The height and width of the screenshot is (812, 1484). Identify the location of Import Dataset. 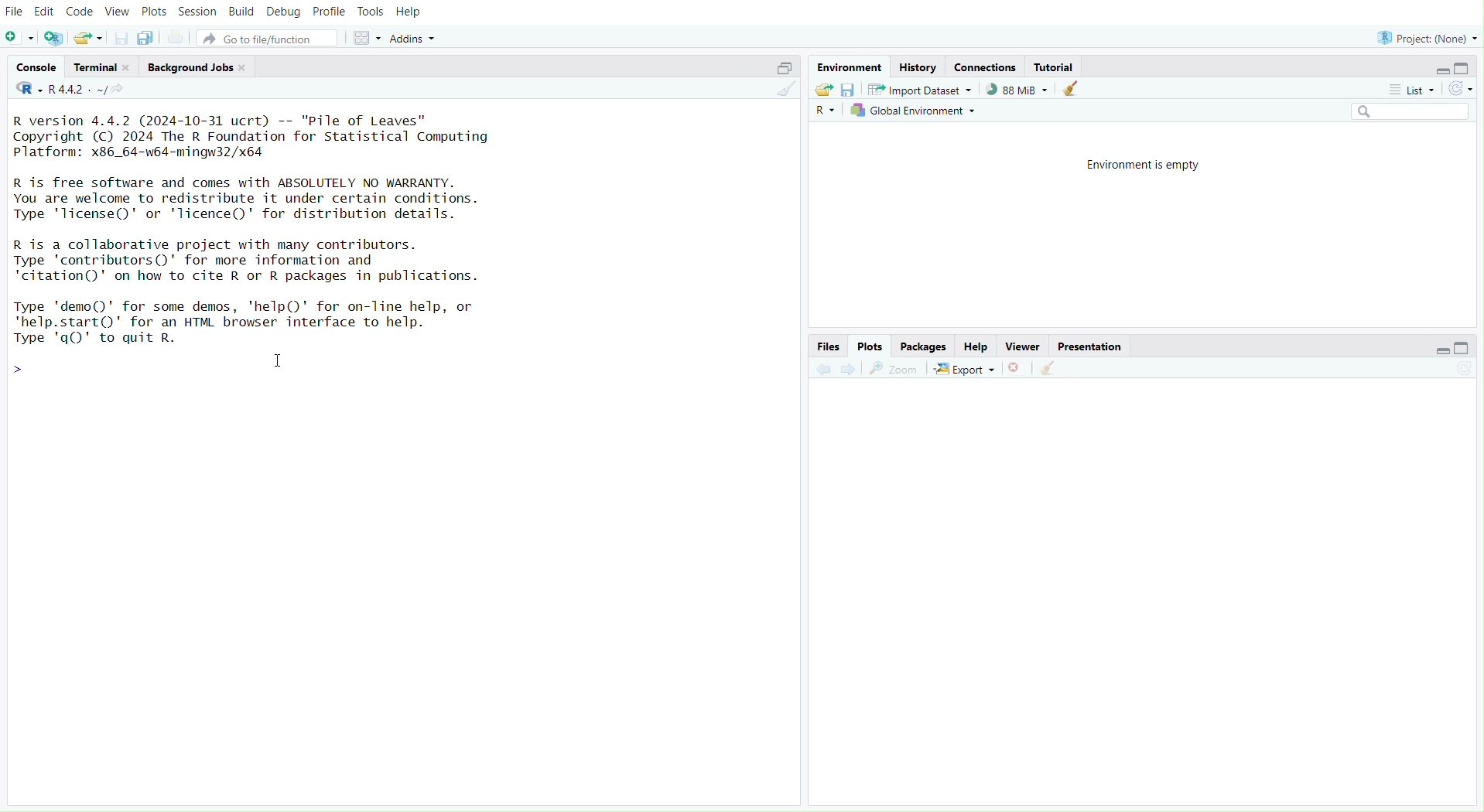
(918, 88).